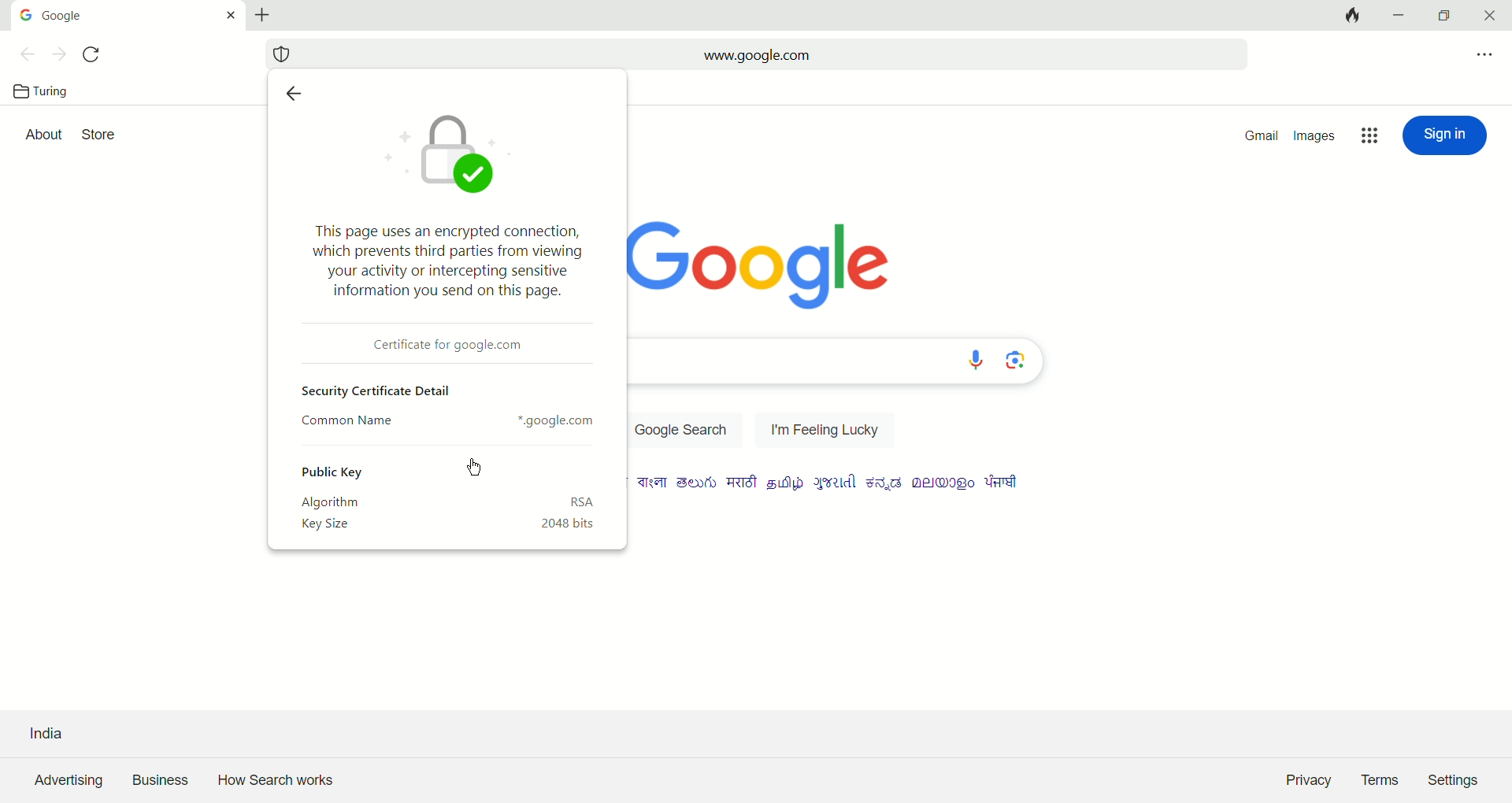 This screenshot has height=803, width=1512. Describe the element at coordinates (1492, 16) in the screenshot. I see `close` at that location.